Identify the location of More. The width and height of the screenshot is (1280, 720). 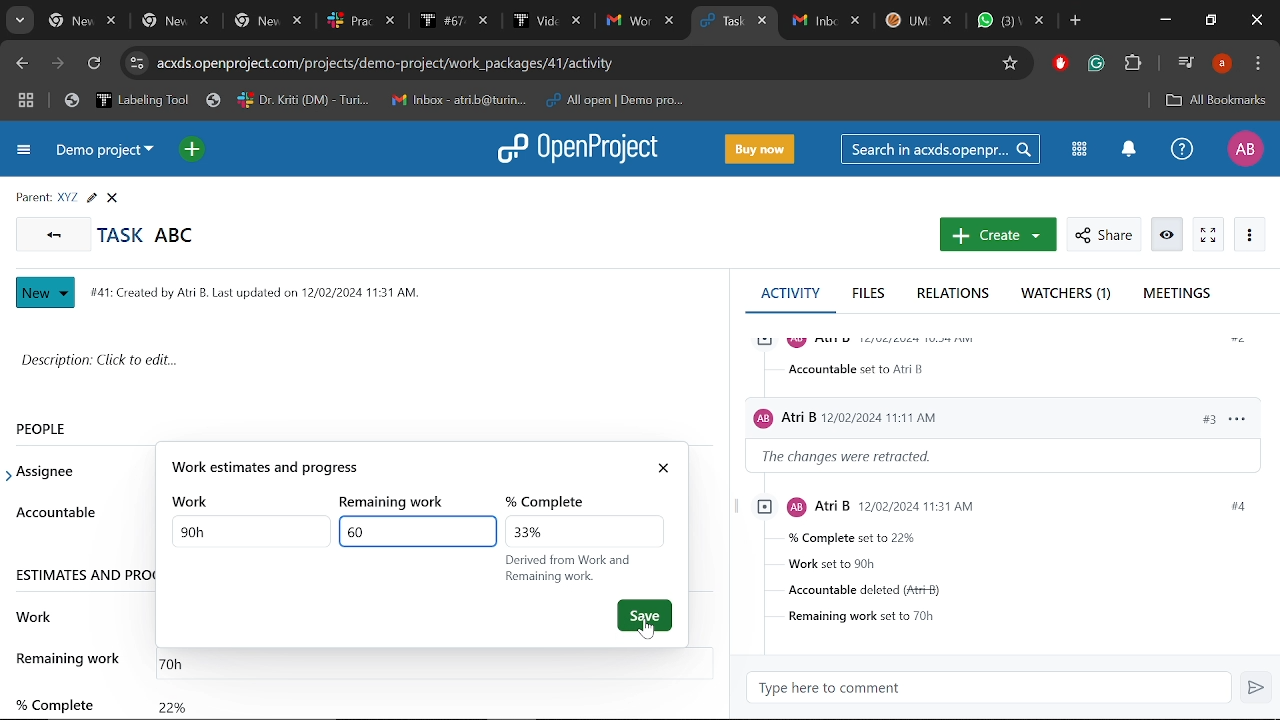
(1250, 235).